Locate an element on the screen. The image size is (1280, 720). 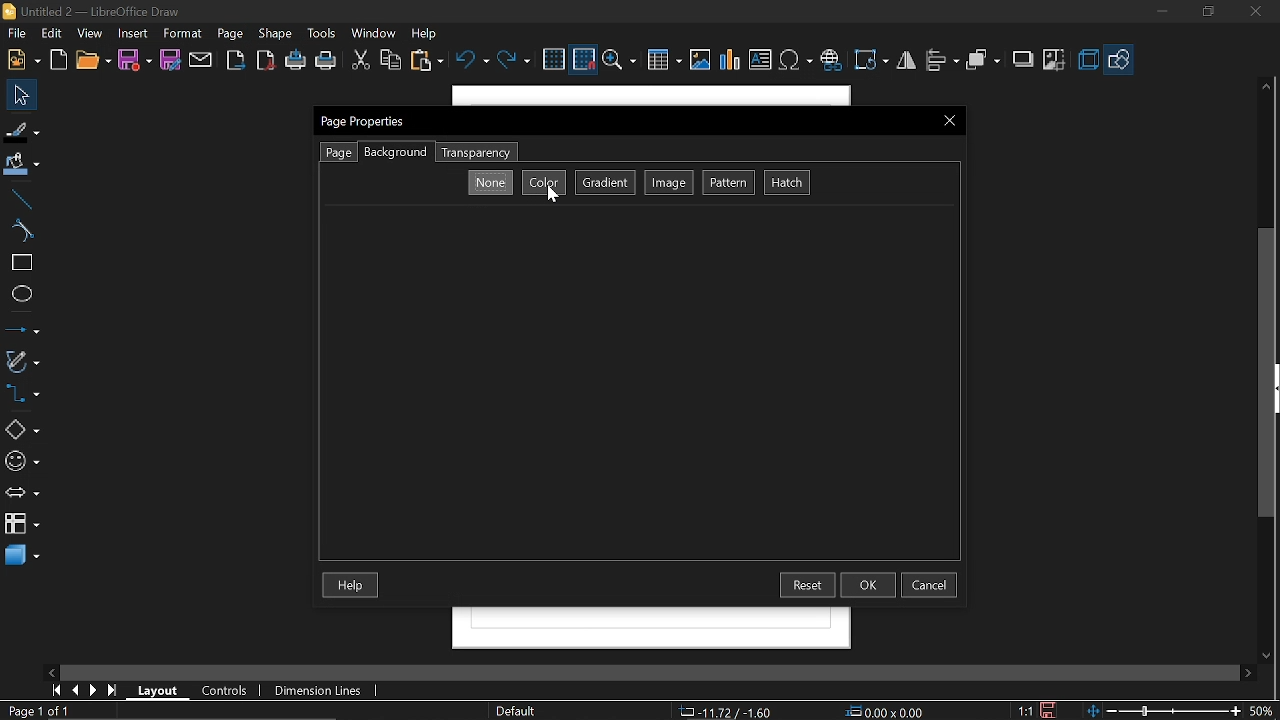
Lines and arrows is located at coordinates (21, 329).